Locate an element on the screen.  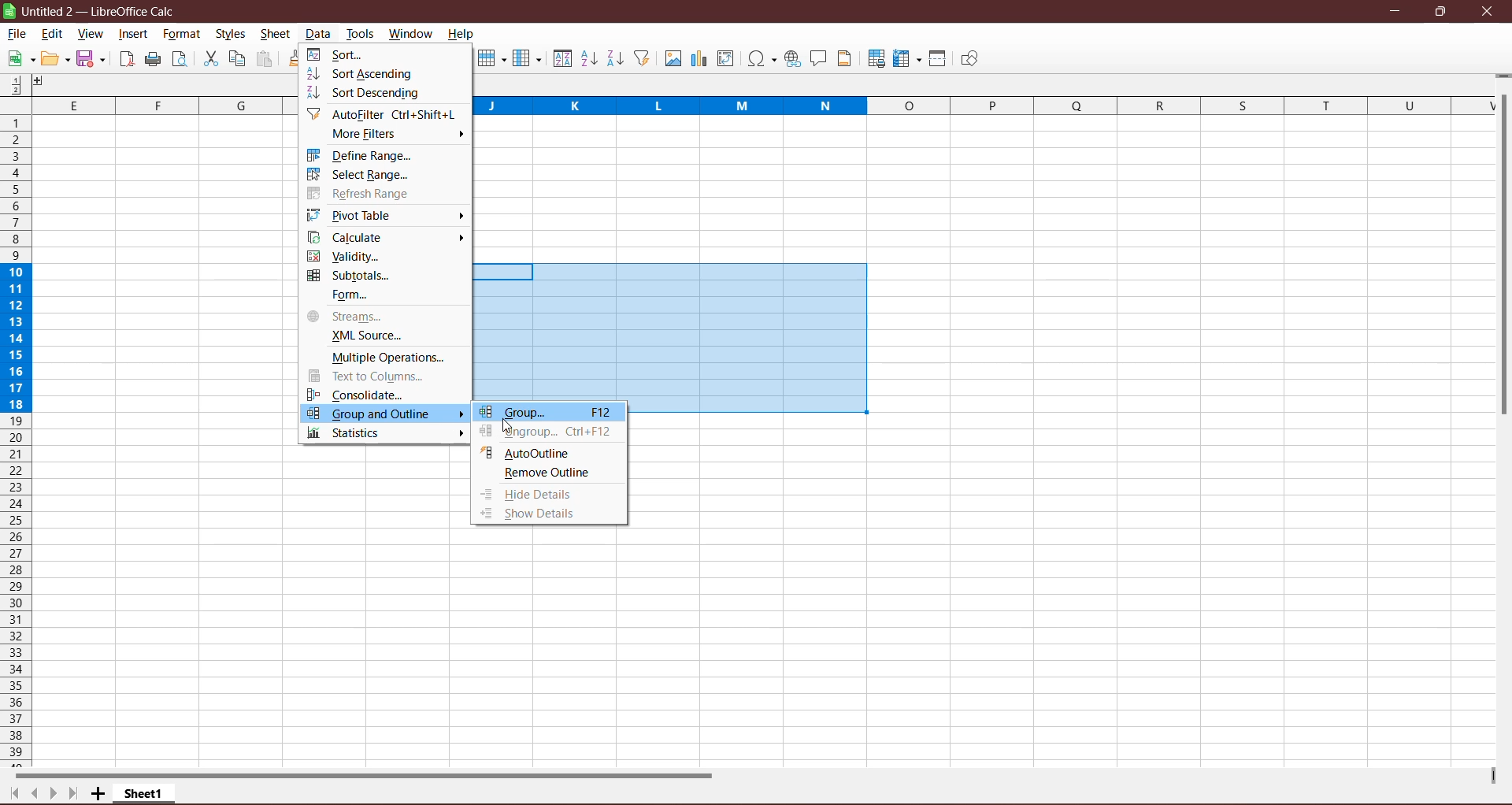
Multiple Operations is located at coordinates (384, 357).